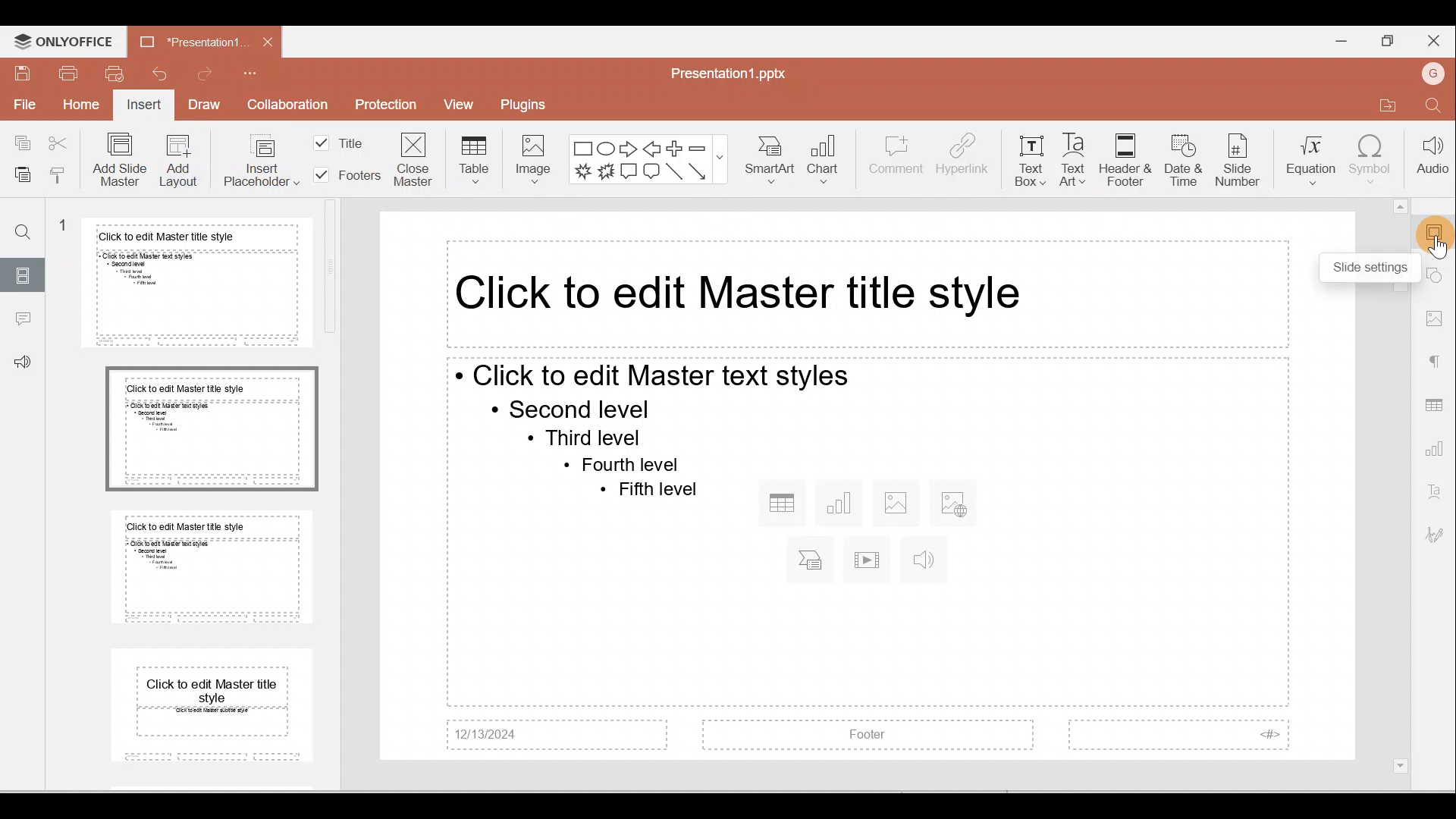 This screenshot has height=819, width=1456. I want to click on Title, so click(346, 139).